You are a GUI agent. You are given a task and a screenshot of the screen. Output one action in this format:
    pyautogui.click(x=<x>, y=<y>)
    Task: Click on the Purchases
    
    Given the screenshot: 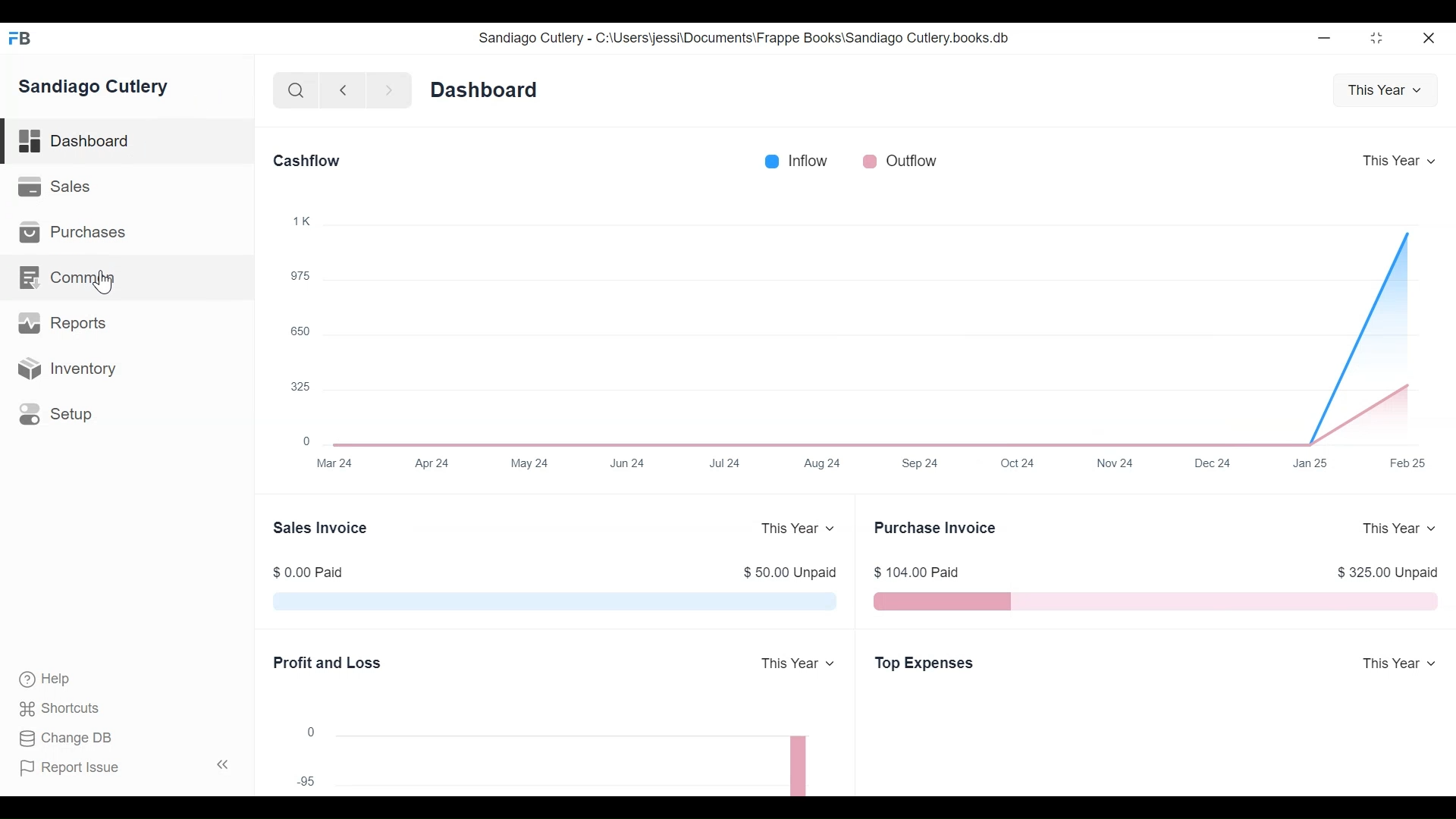 What is the action you would take?
    pyautogui.click(x=75, y=232)
    